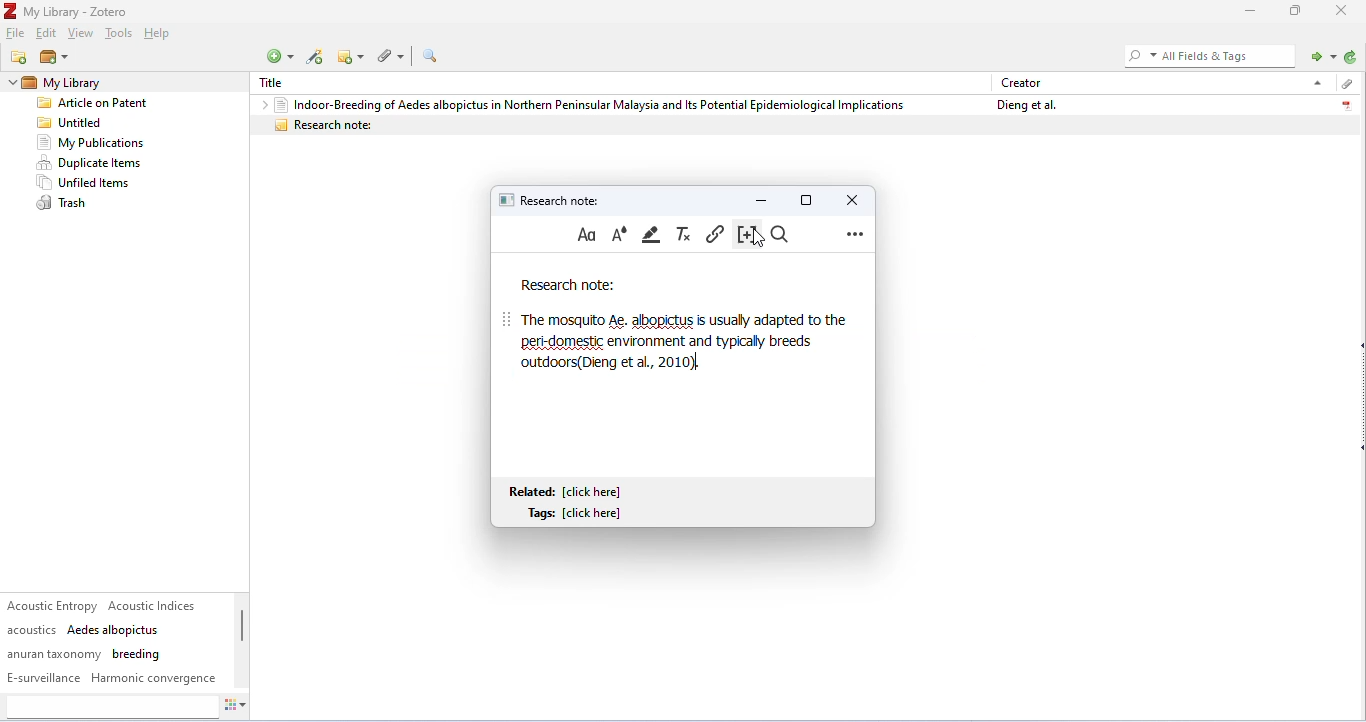 This screenshot has width=1366, height=722. I want to click on attachment, so click(1345, 84).